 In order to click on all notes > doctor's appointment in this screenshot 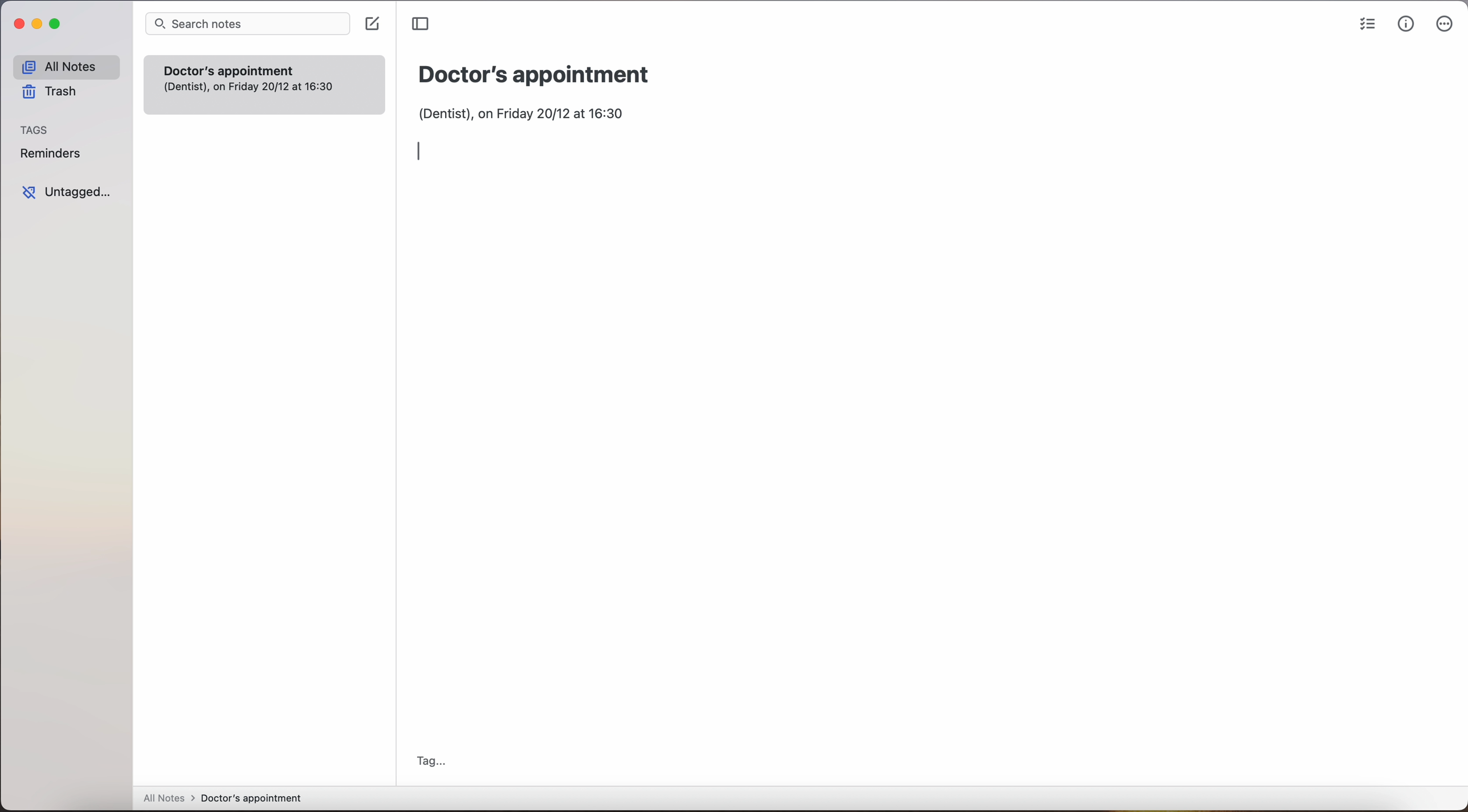, I will do `click(222, 799)`.